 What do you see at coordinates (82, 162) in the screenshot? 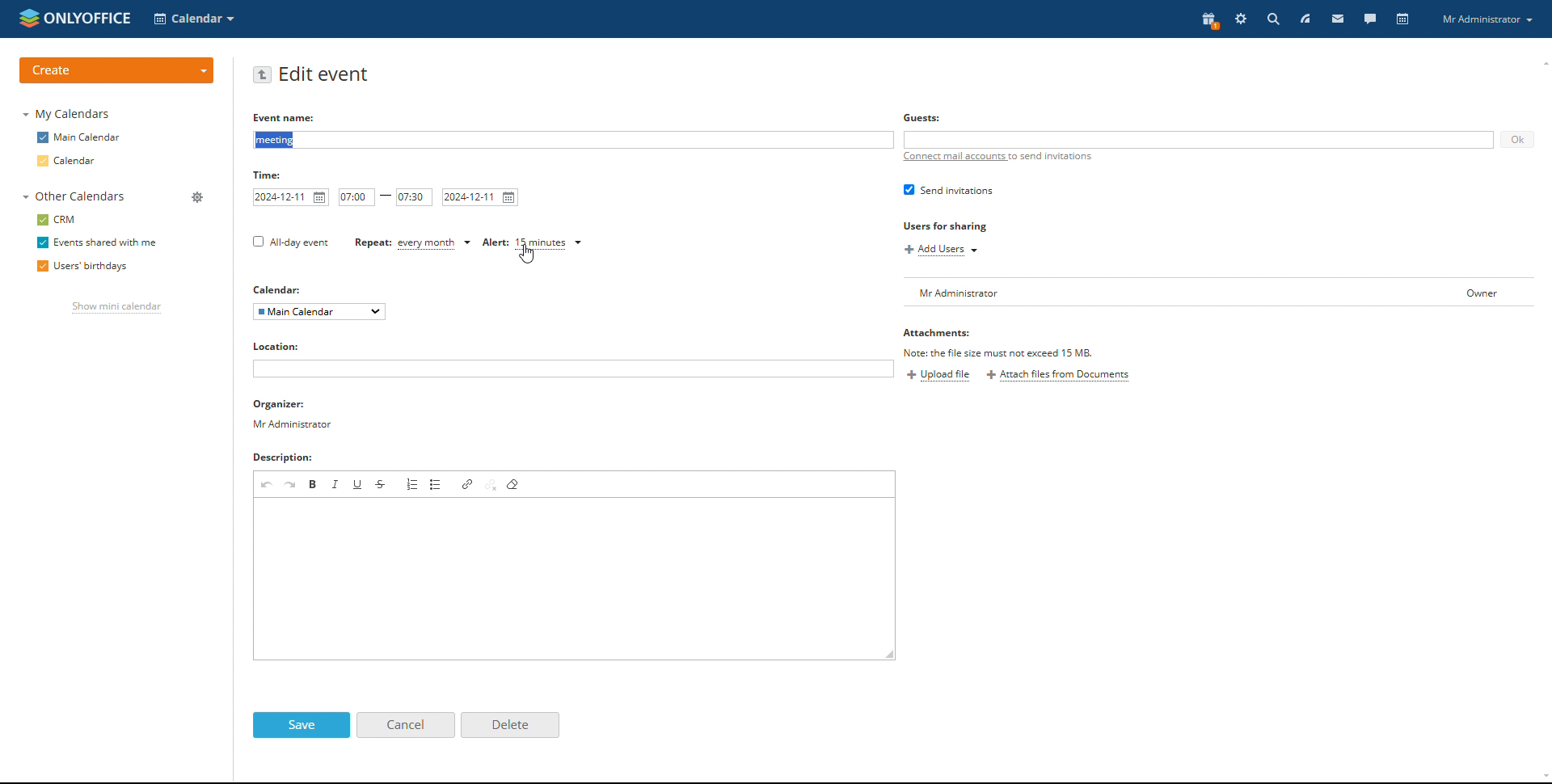
I see `calendar` at bounding box center [82, 162].